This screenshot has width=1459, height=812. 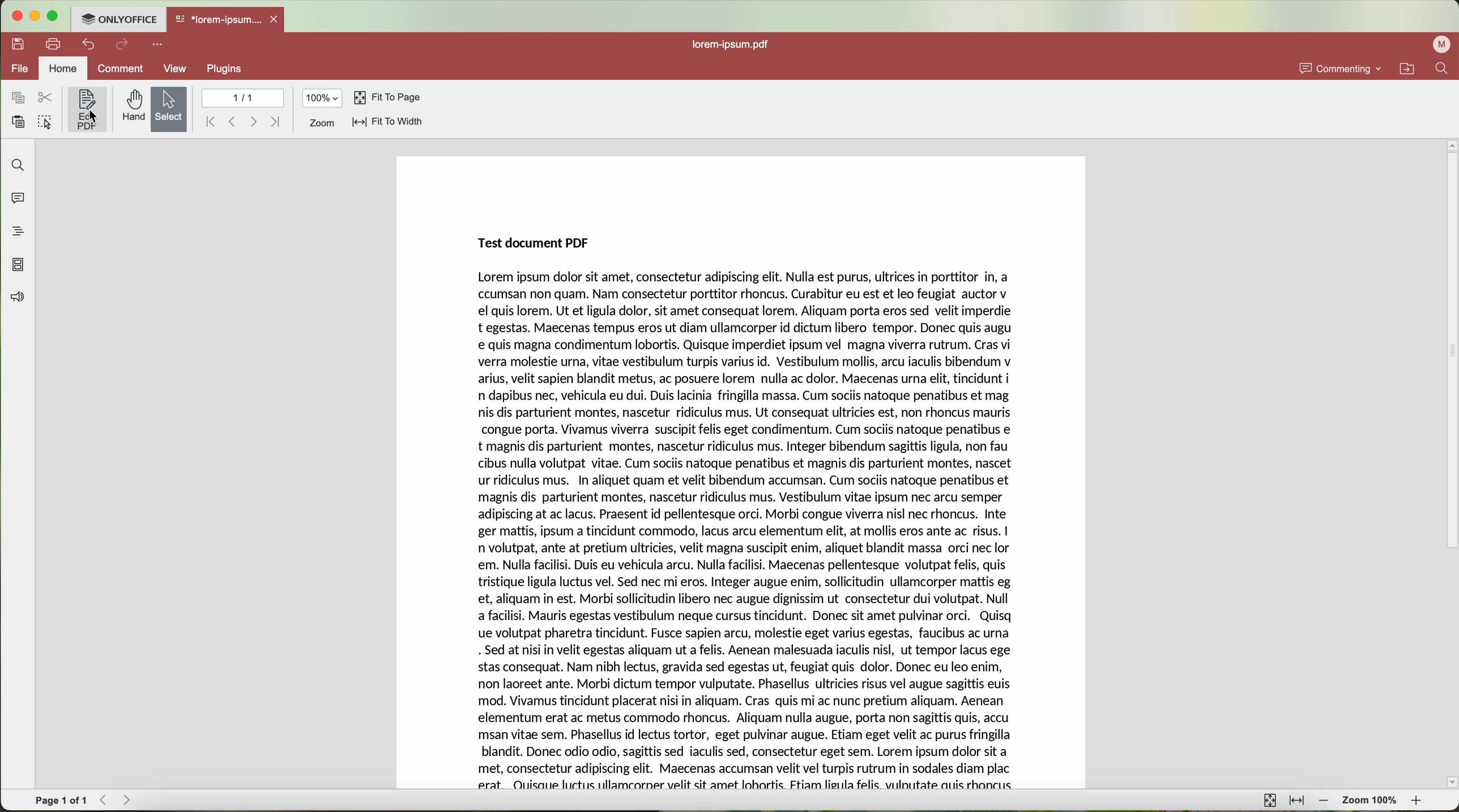 What do you see at coordinates (210, 122) in the screenshot?
I see `First page` at bounding box center [210, 122].